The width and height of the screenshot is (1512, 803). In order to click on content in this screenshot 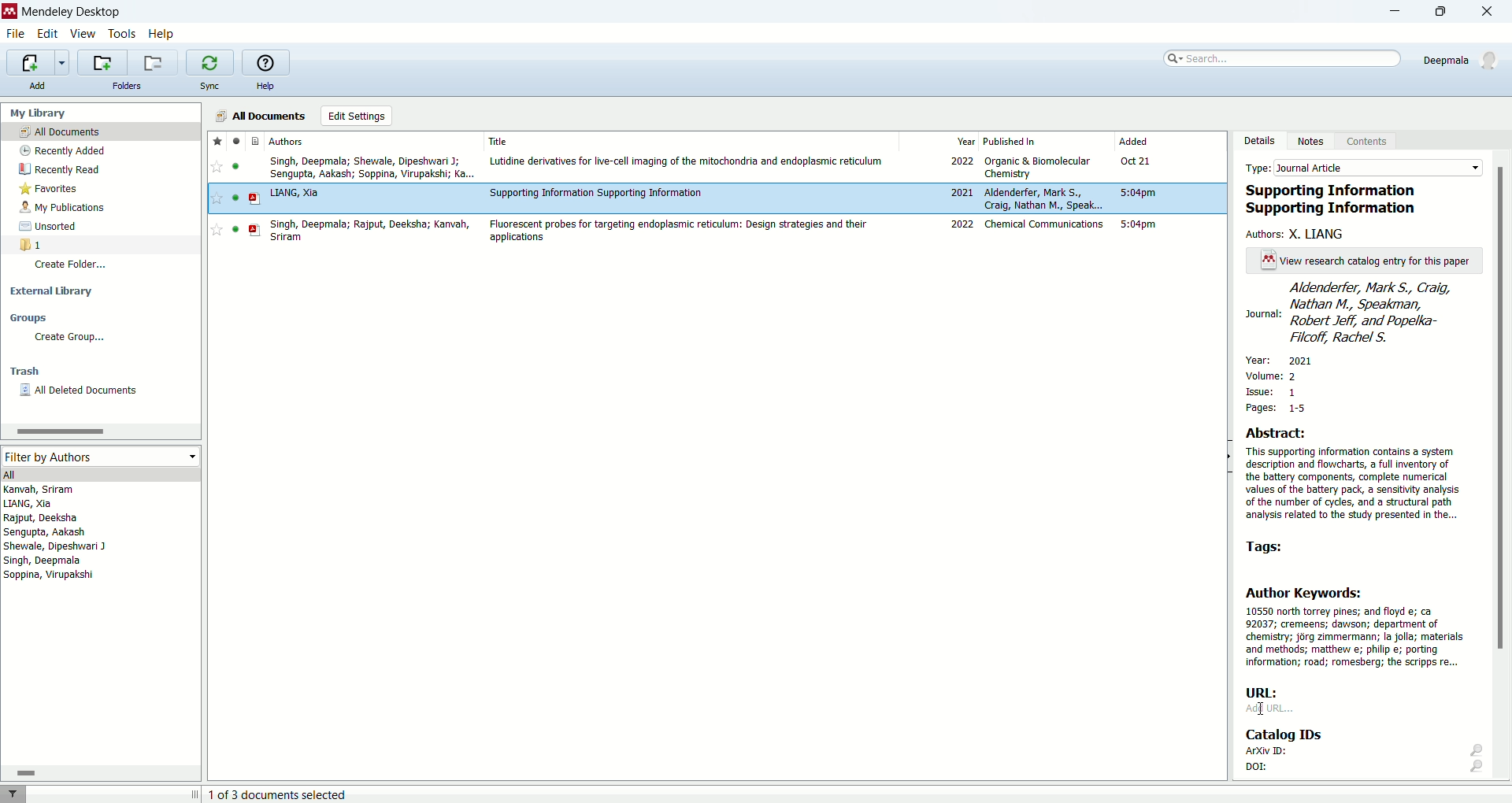, I will do `click(1372, 143)`.